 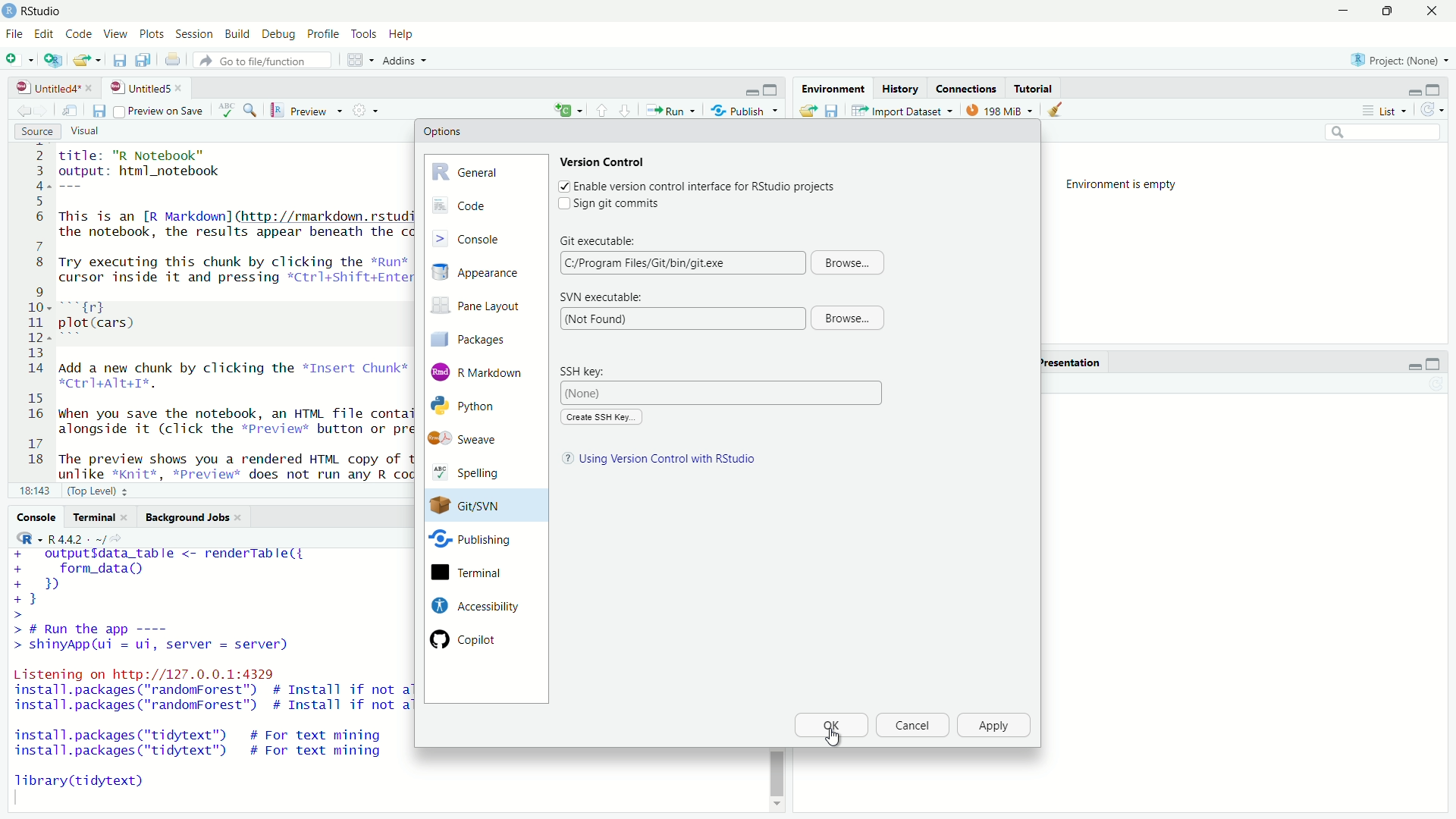 What do you see at coordinates (484, 273) in the screenshot?
I see `Appearance` at bounding box center [484, 273].